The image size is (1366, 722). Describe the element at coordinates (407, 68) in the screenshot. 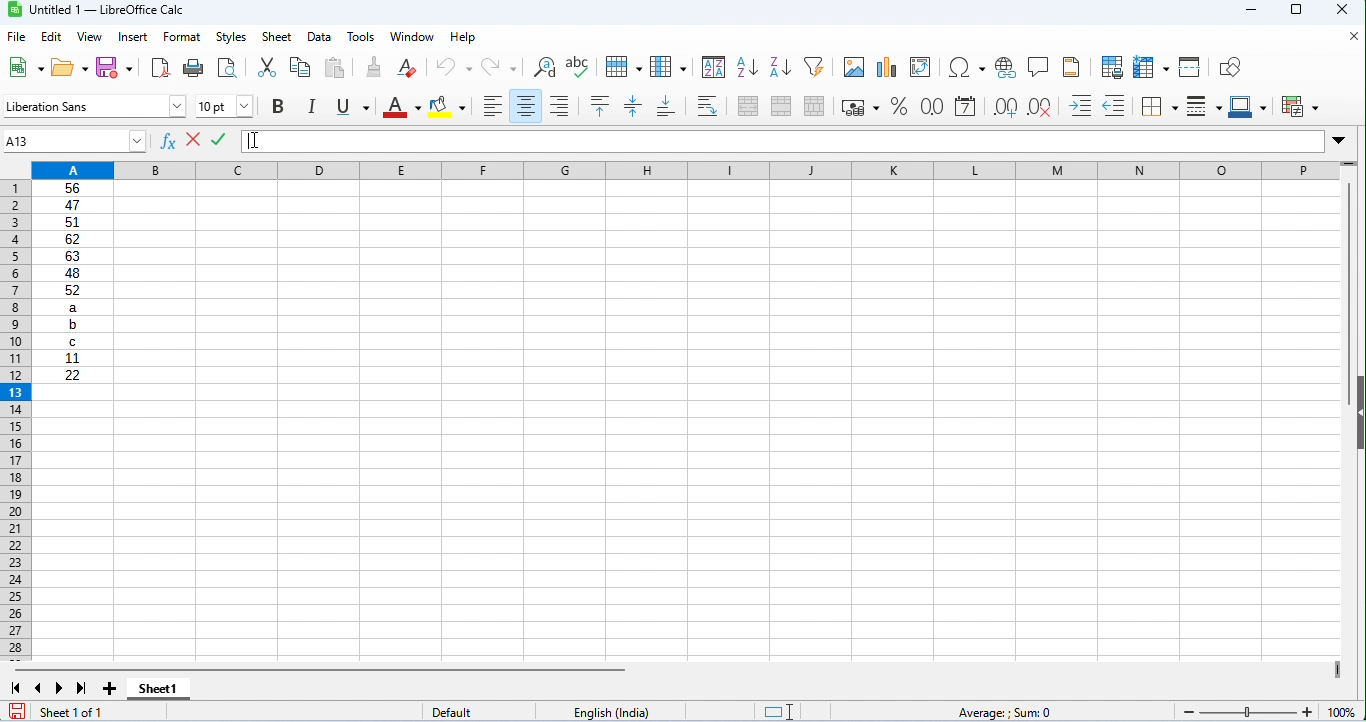

I see `clear direct formatting` at that location.